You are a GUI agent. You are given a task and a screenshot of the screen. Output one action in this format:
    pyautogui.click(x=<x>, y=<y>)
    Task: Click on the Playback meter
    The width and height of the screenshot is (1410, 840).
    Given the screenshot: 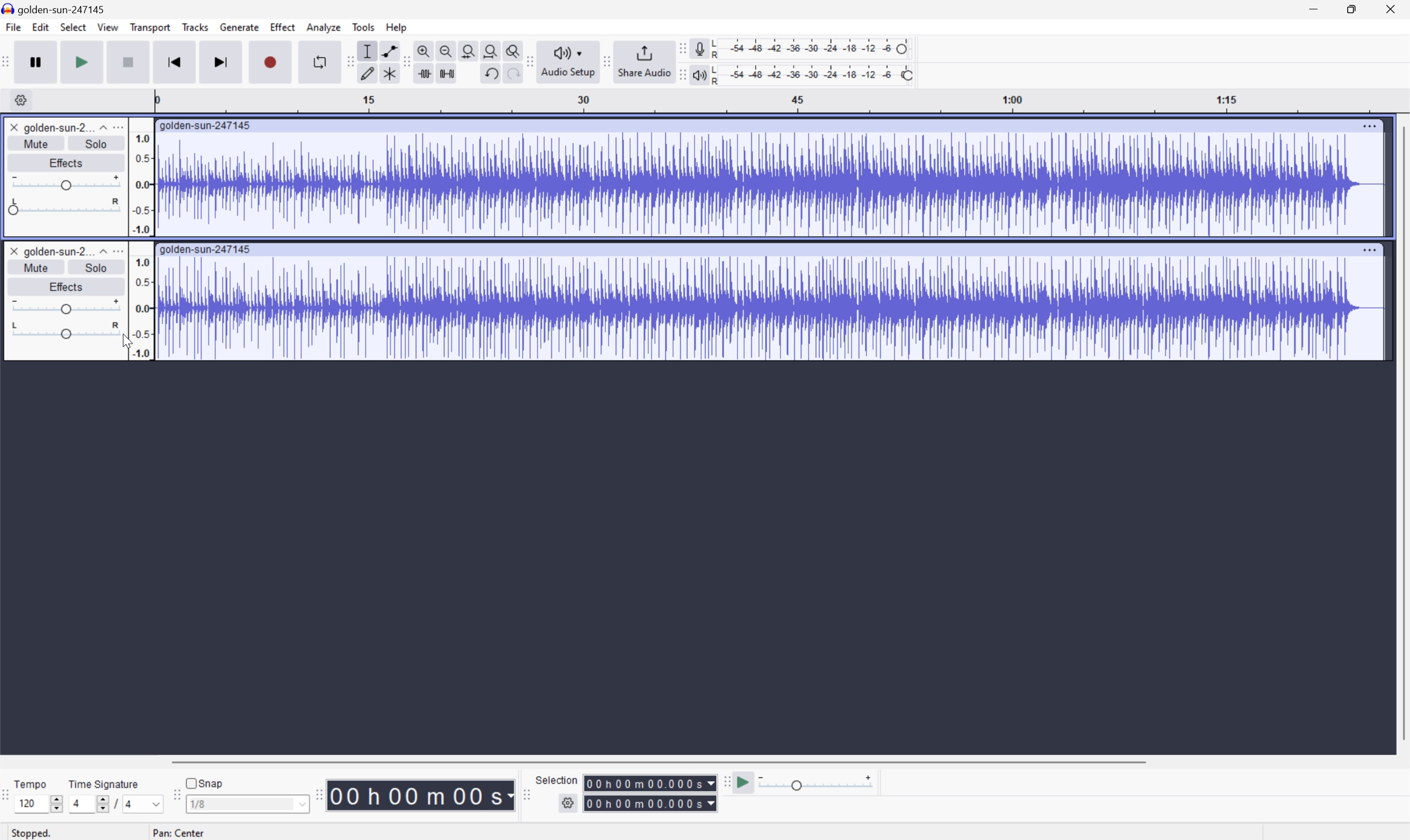 What is the action you would take?
    pyautogui.click(x=699, y=74)
    